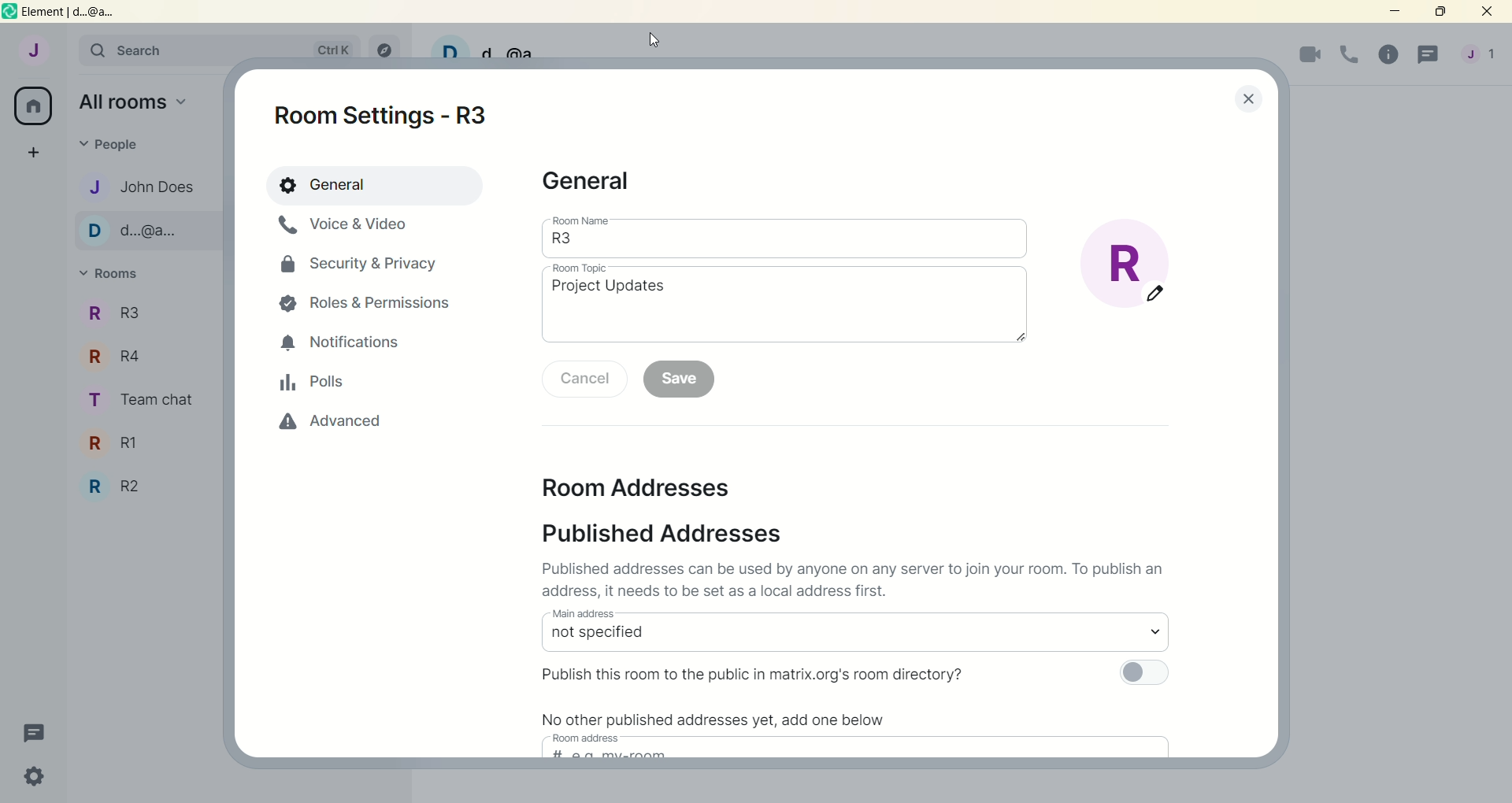 This screenshot has width=1512, height=803. What do you see at coordinates (116, 145) in the screenshot?
I see `people` at bounding box center [116, 145].